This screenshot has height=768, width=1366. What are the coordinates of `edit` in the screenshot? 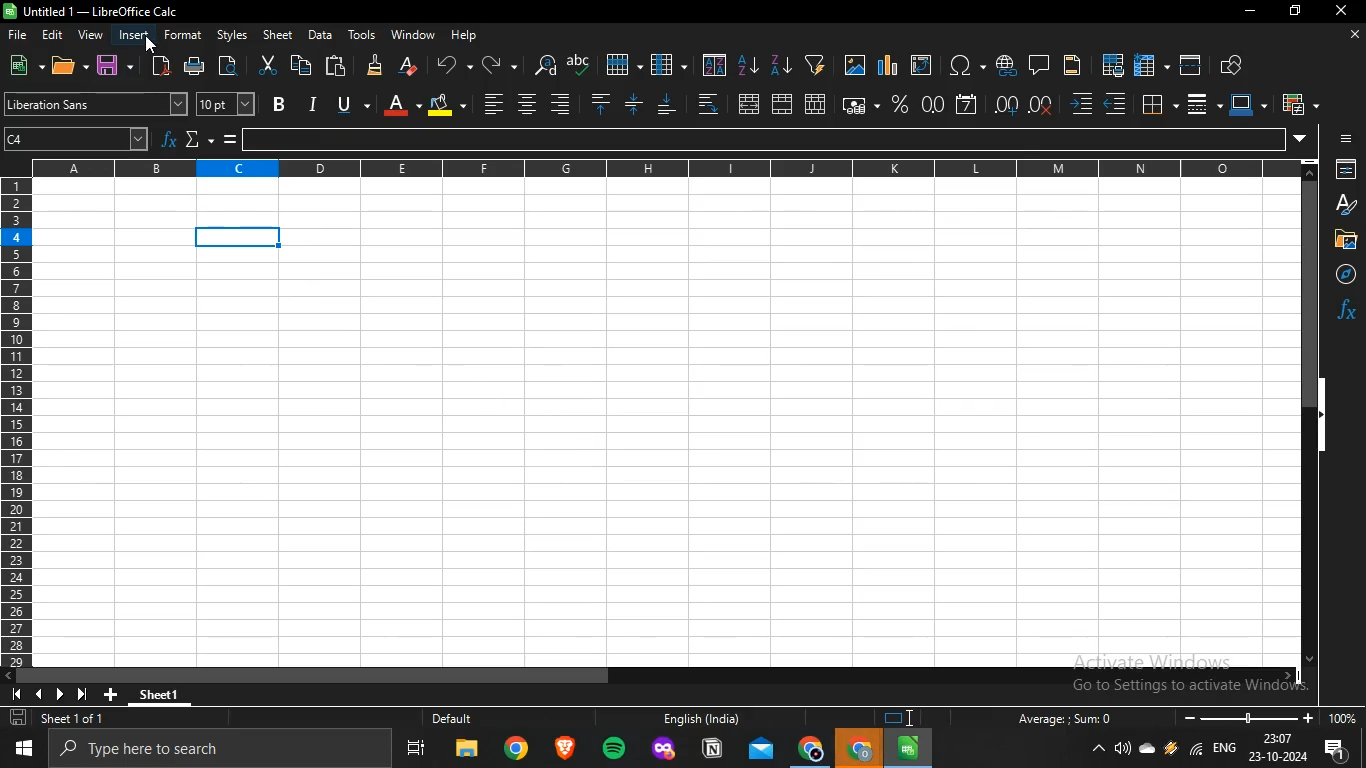 It's located at (55, 33).